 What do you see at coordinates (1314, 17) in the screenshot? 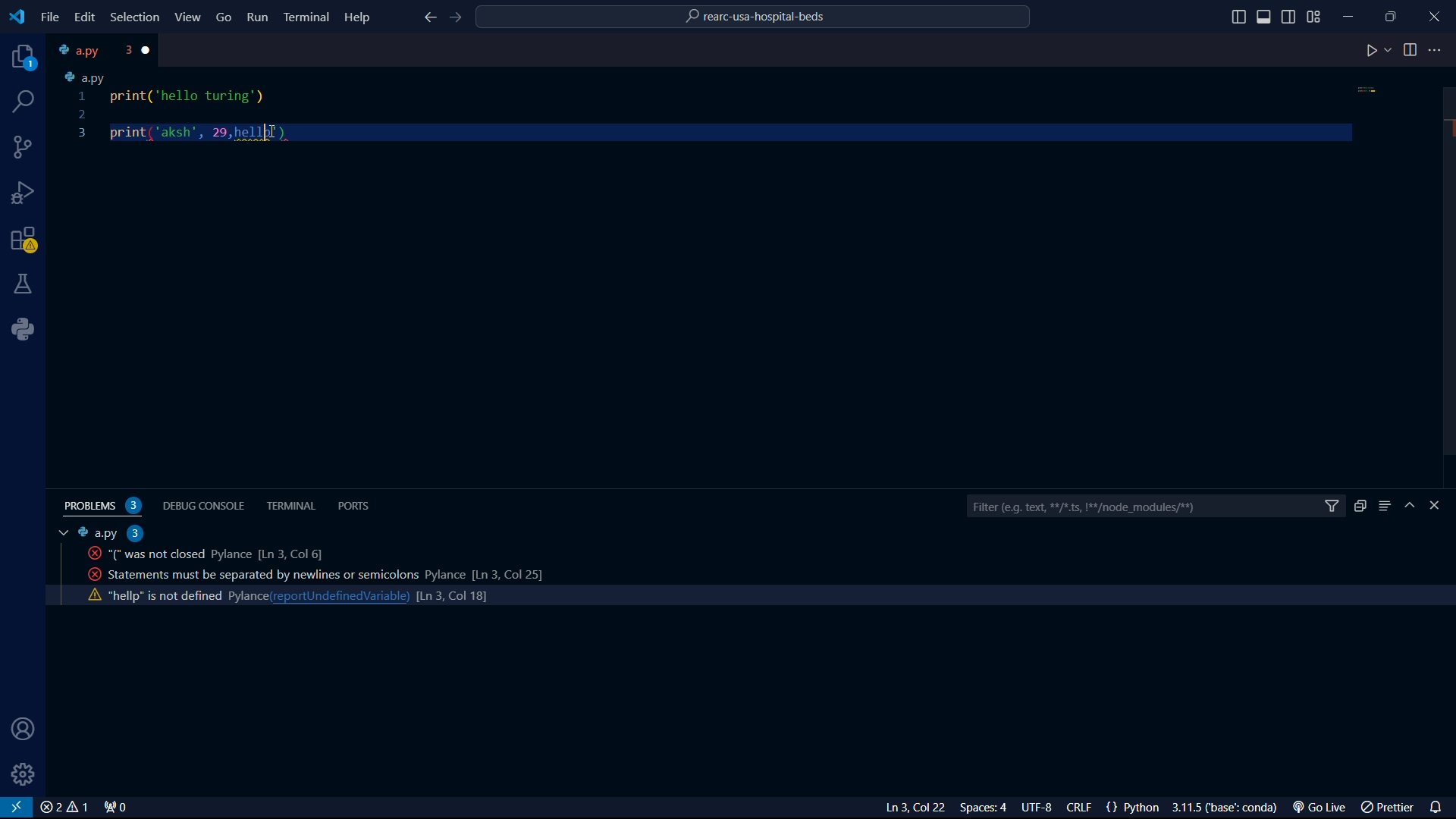
I see `grid view` at bounding box center [1314, 17].